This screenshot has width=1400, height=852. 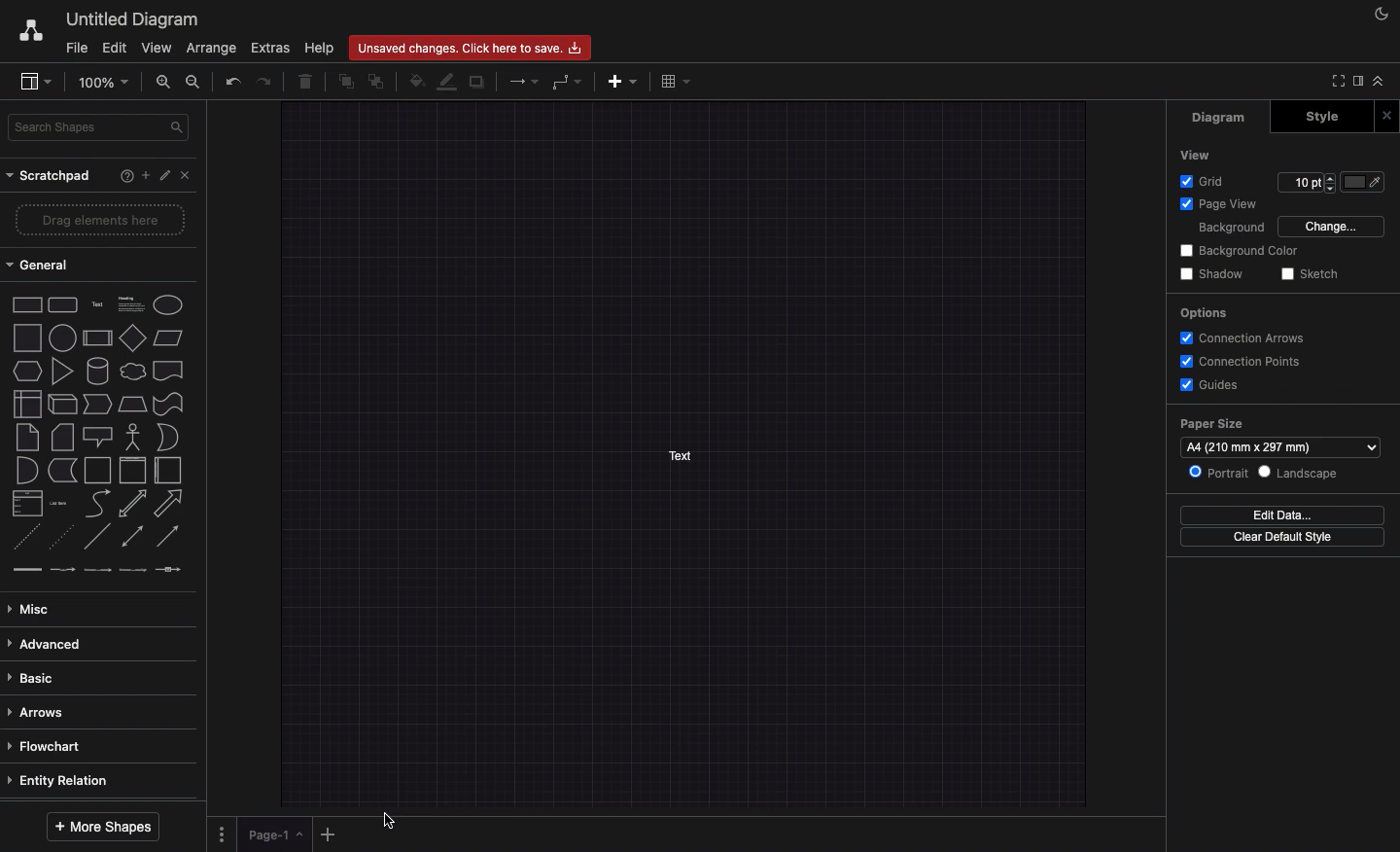 What do you see at coordinates (188, 178) in the screenshot?
I see `Close` at bounding box center [188, 178].